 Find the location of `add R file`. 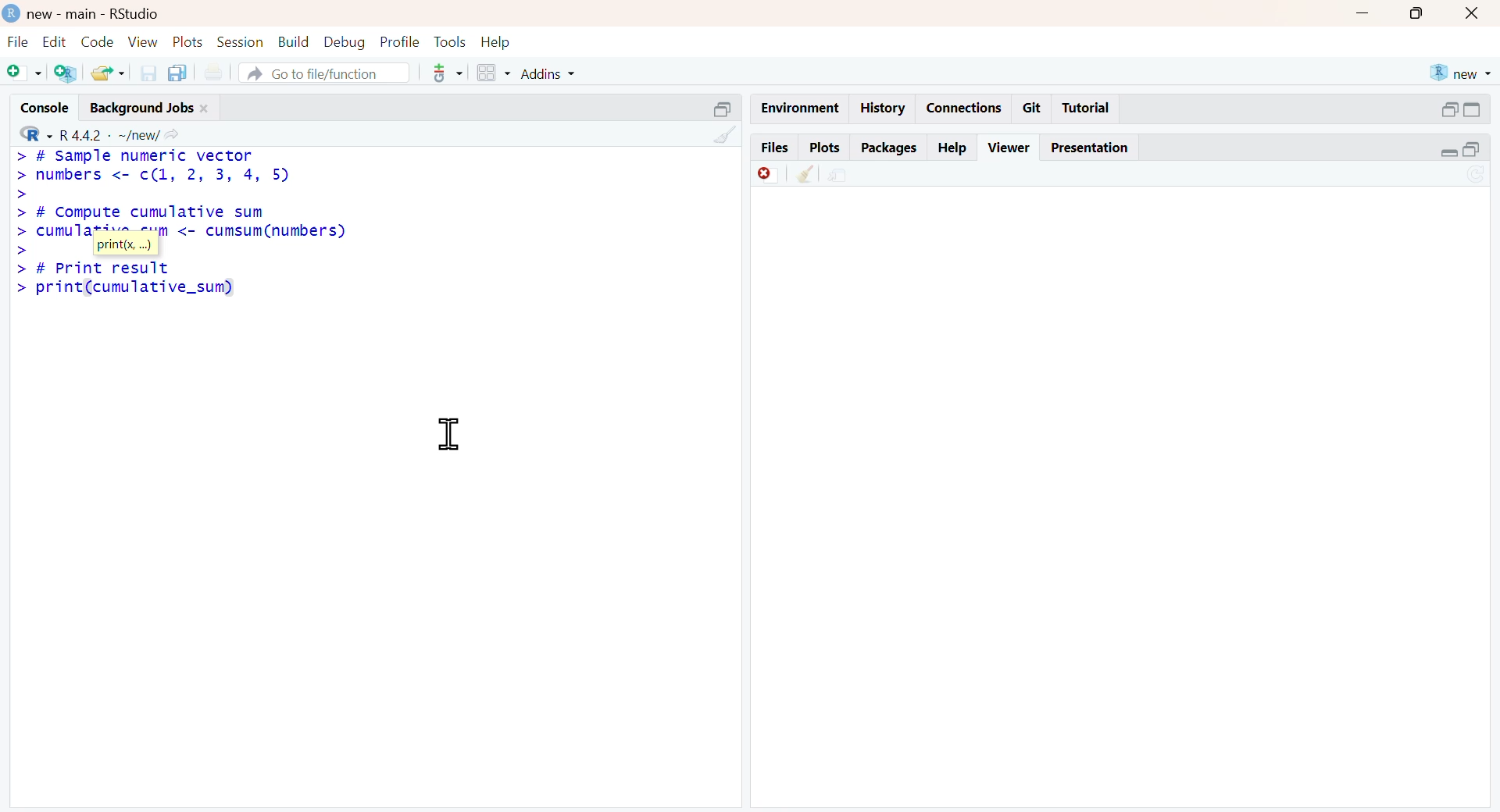

add R file is located at coordinates (66, 73).